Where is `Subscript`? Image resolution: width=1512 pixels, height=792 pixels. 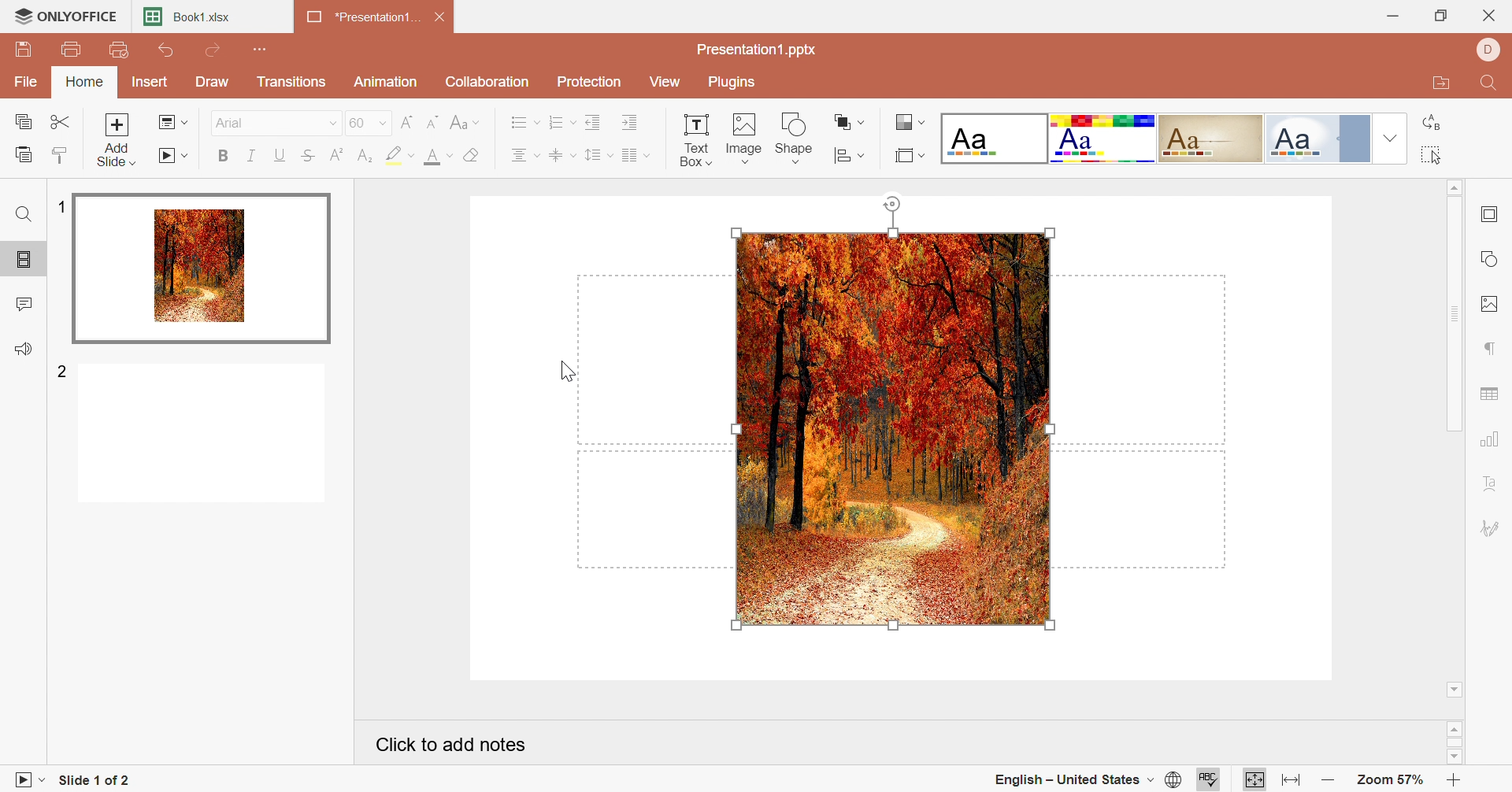
Subscript is located at coordinates (365, 156).